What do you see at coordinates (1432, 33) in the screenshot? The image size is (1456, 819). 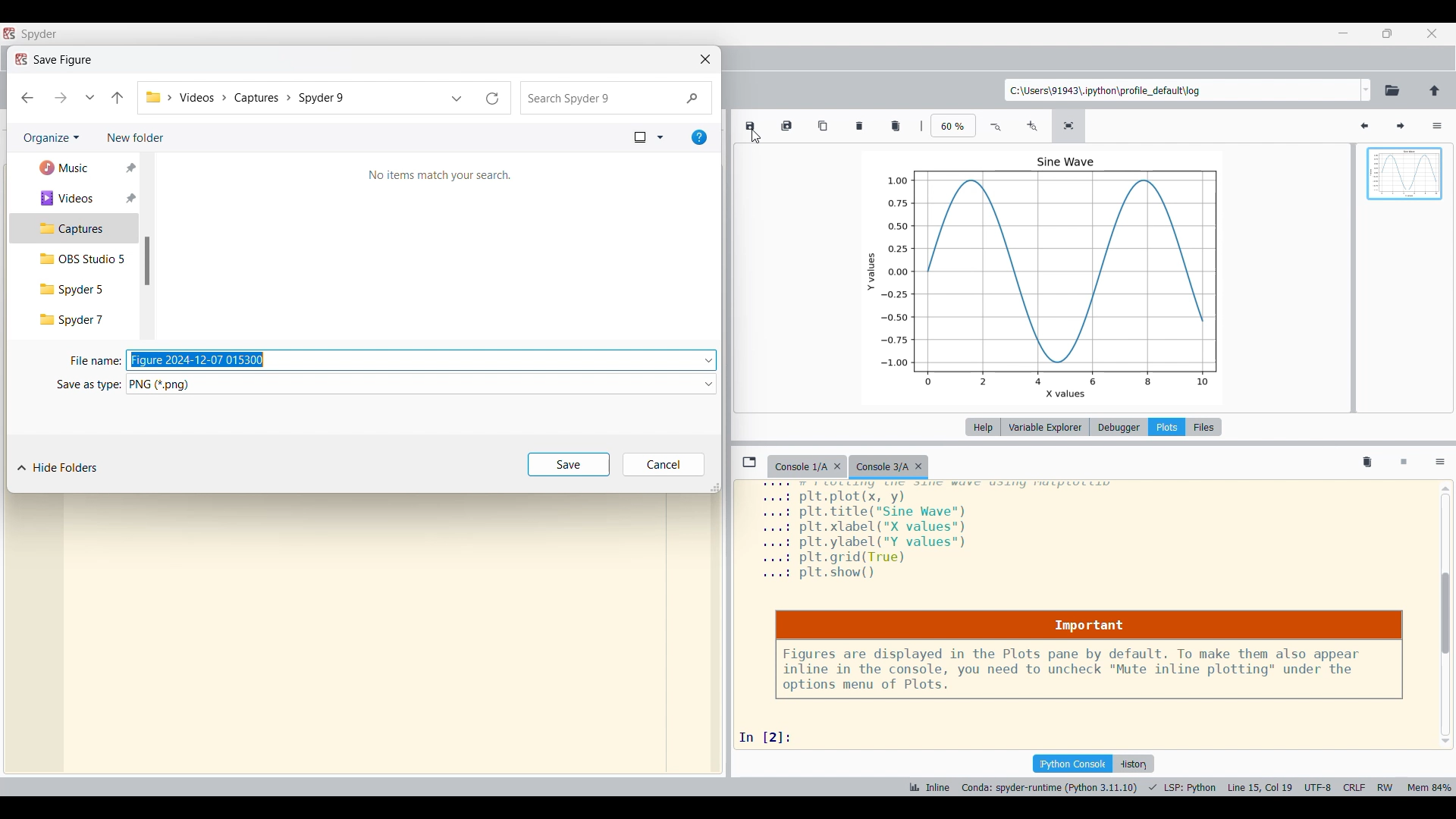 I see `Close interface` at bounding box center [1432, 33].